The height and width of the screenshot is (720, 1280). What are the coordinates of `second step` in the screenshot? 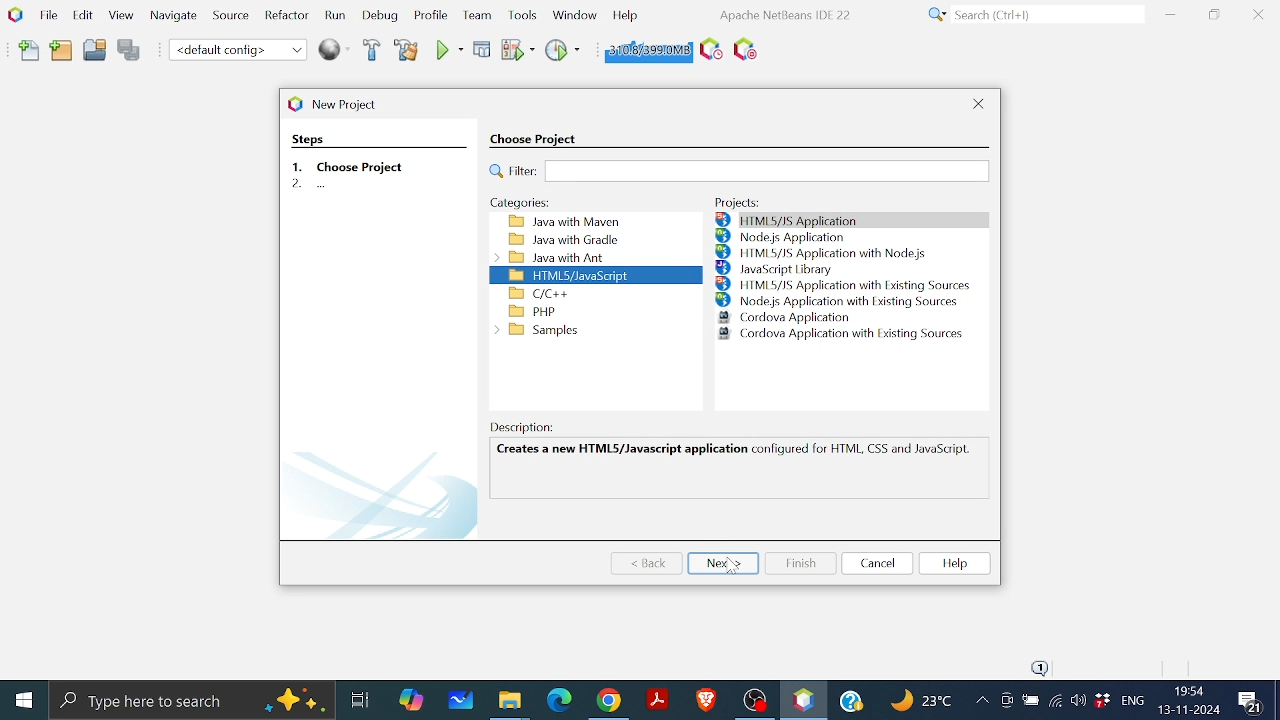 It's located at (348, 187).